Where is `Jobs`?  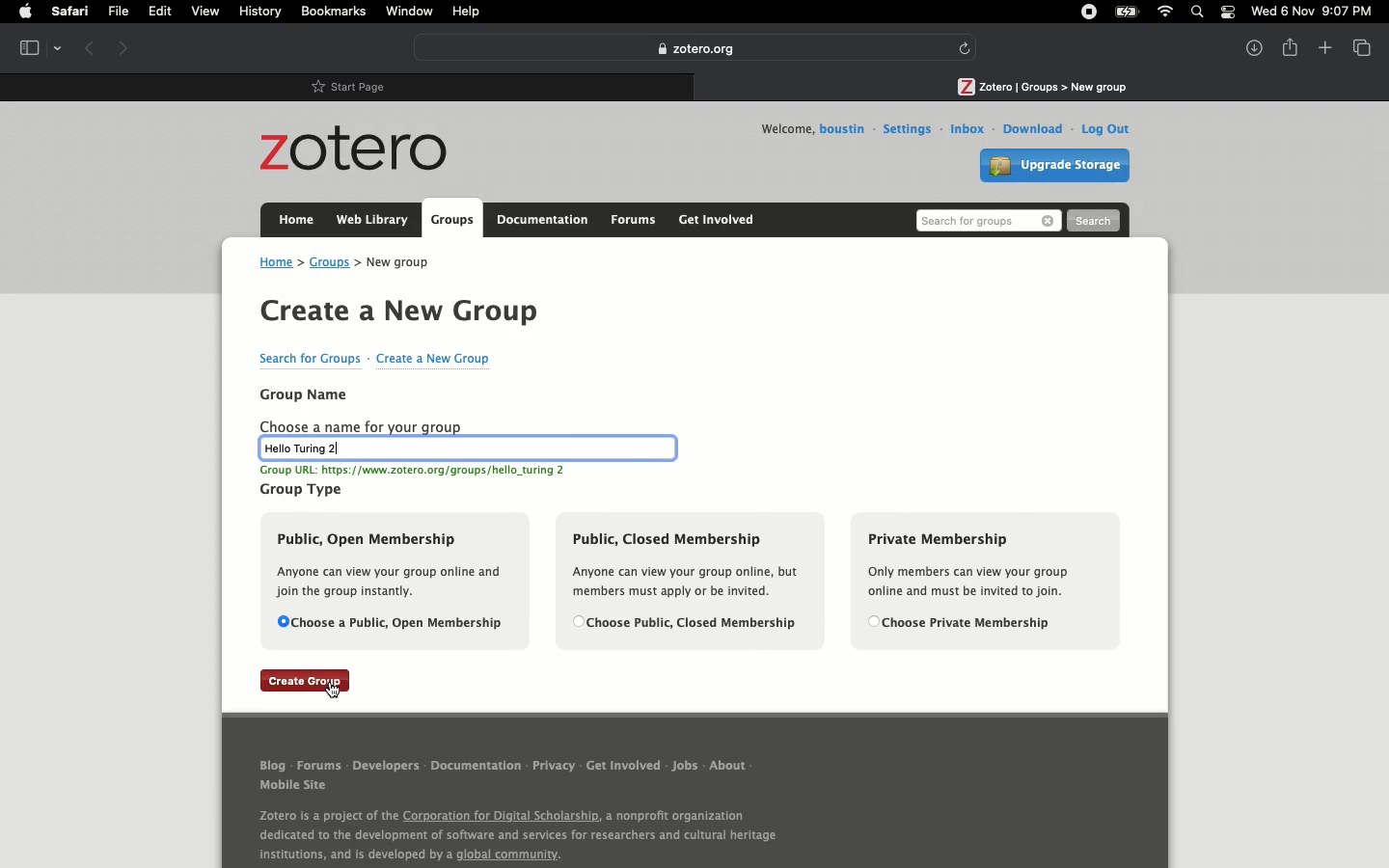
Jobs is located at coordinates (685, 766).